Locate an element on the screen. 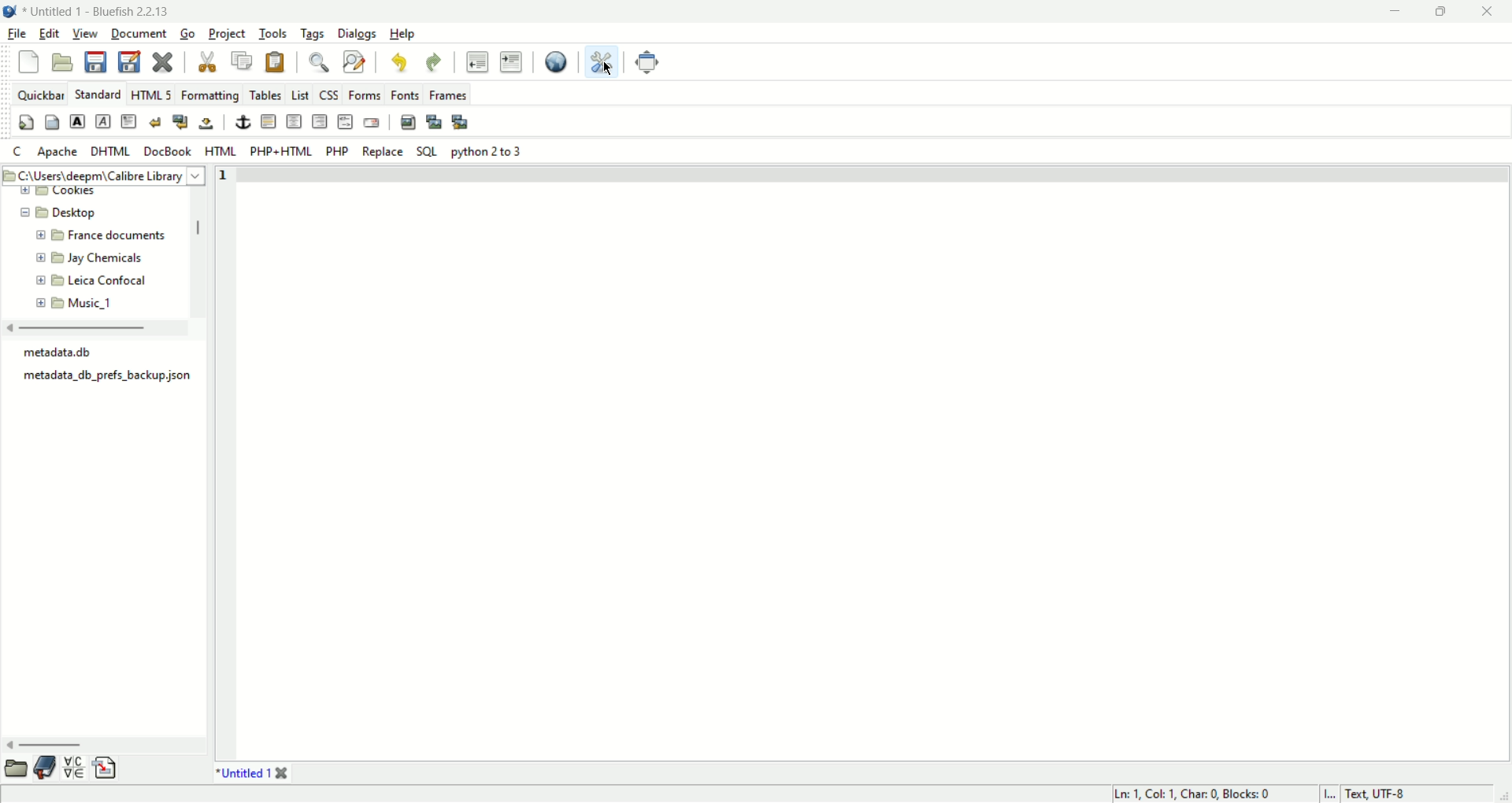 The width and height of the screenshot is (1512, 803). quickbar is located at coordinates (40, 96).